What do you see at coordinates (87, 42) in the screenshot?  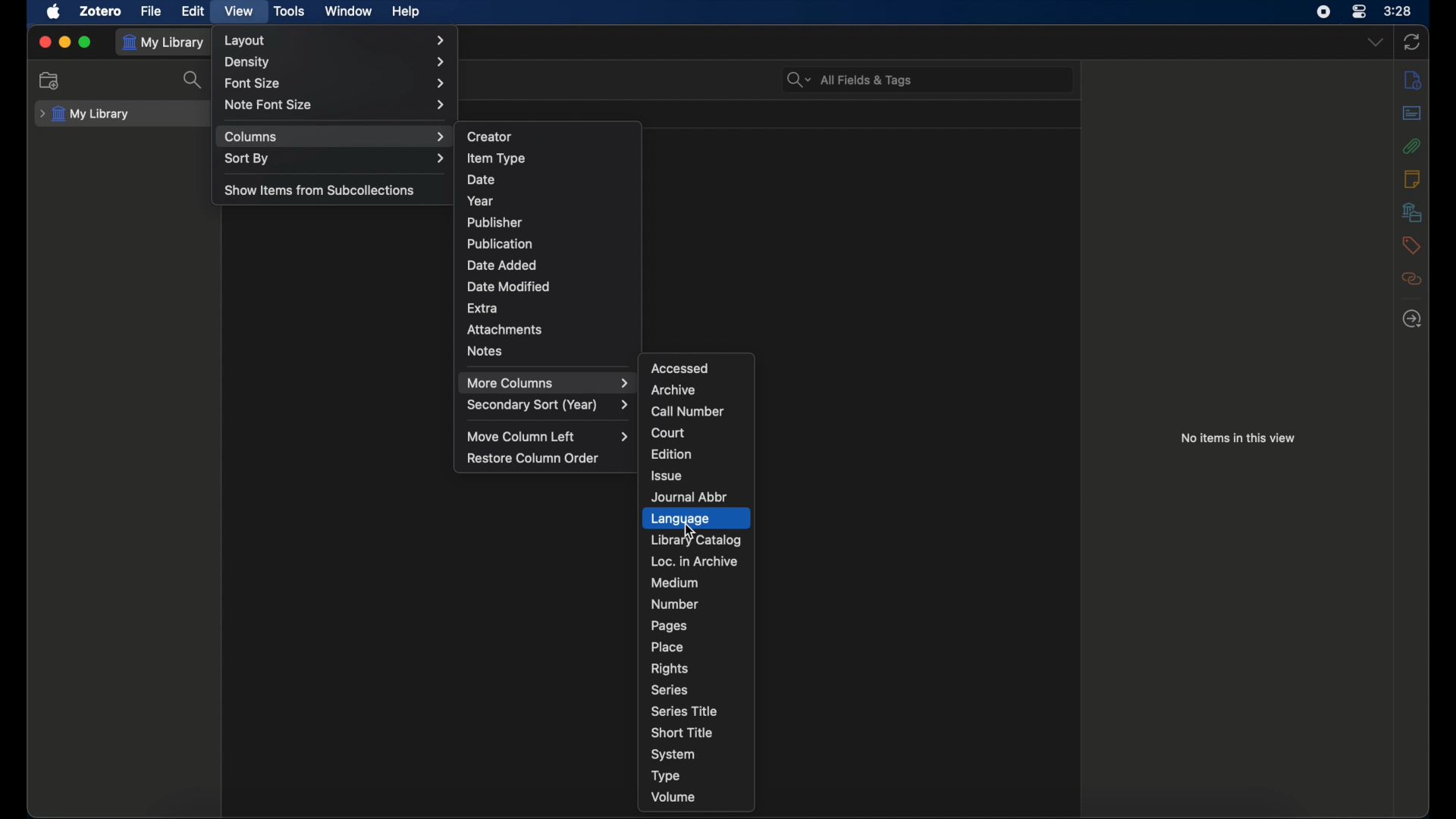 I see `maximize` at bounding box center [87, 42].